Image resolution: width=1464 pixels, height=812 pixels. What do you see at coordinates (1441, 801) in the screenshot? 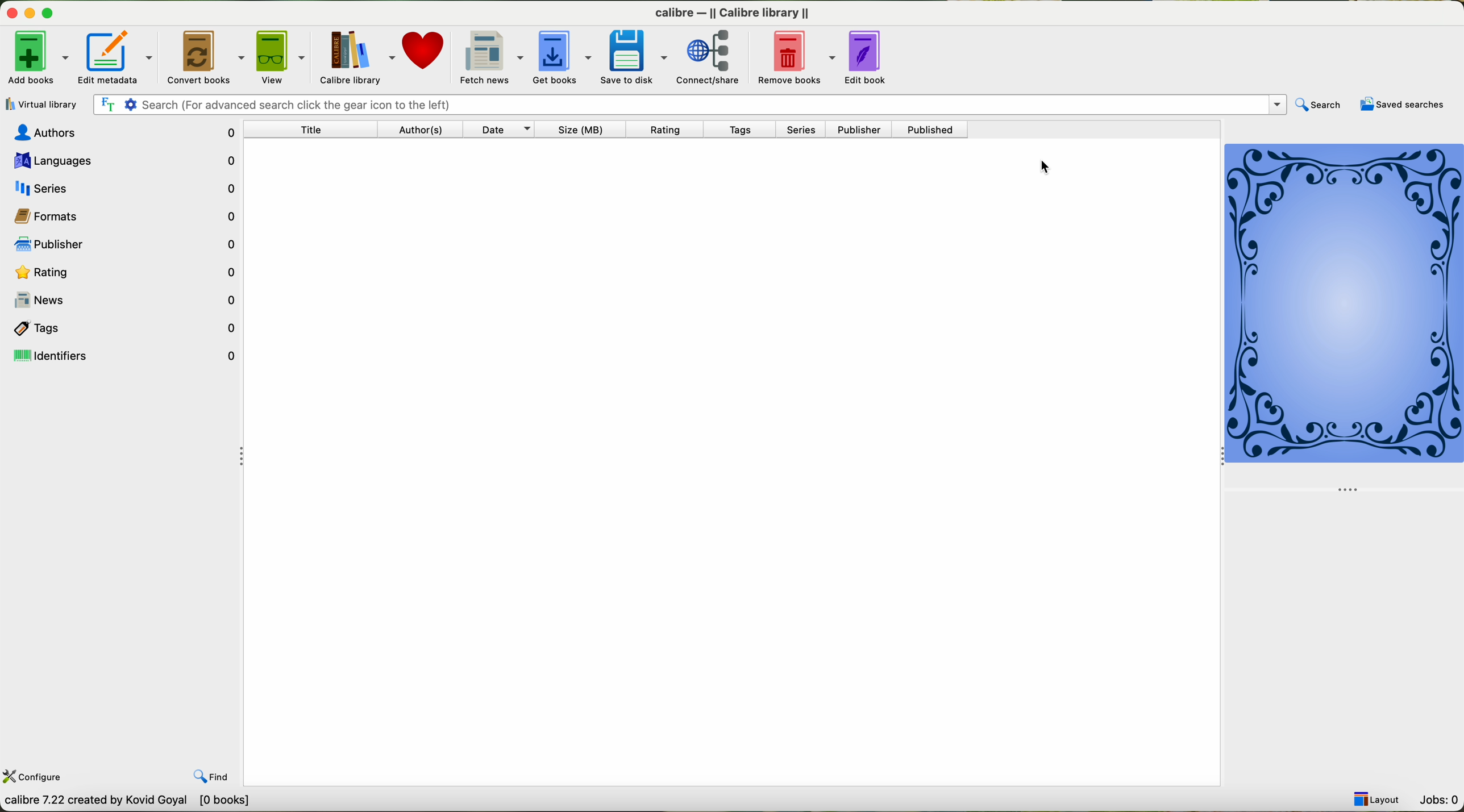
I see `jobs: 0` at bounding box center [1441, 801].